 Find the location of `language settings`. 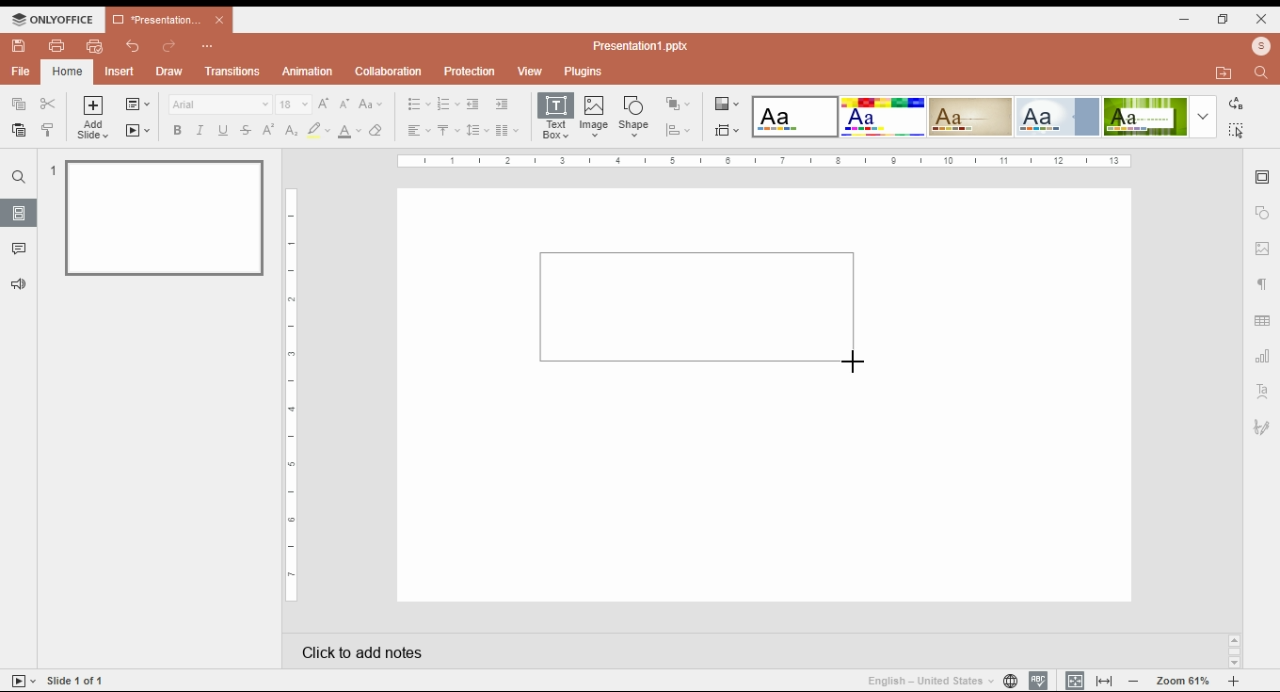

language settings is located at coordinates (1009, 681).